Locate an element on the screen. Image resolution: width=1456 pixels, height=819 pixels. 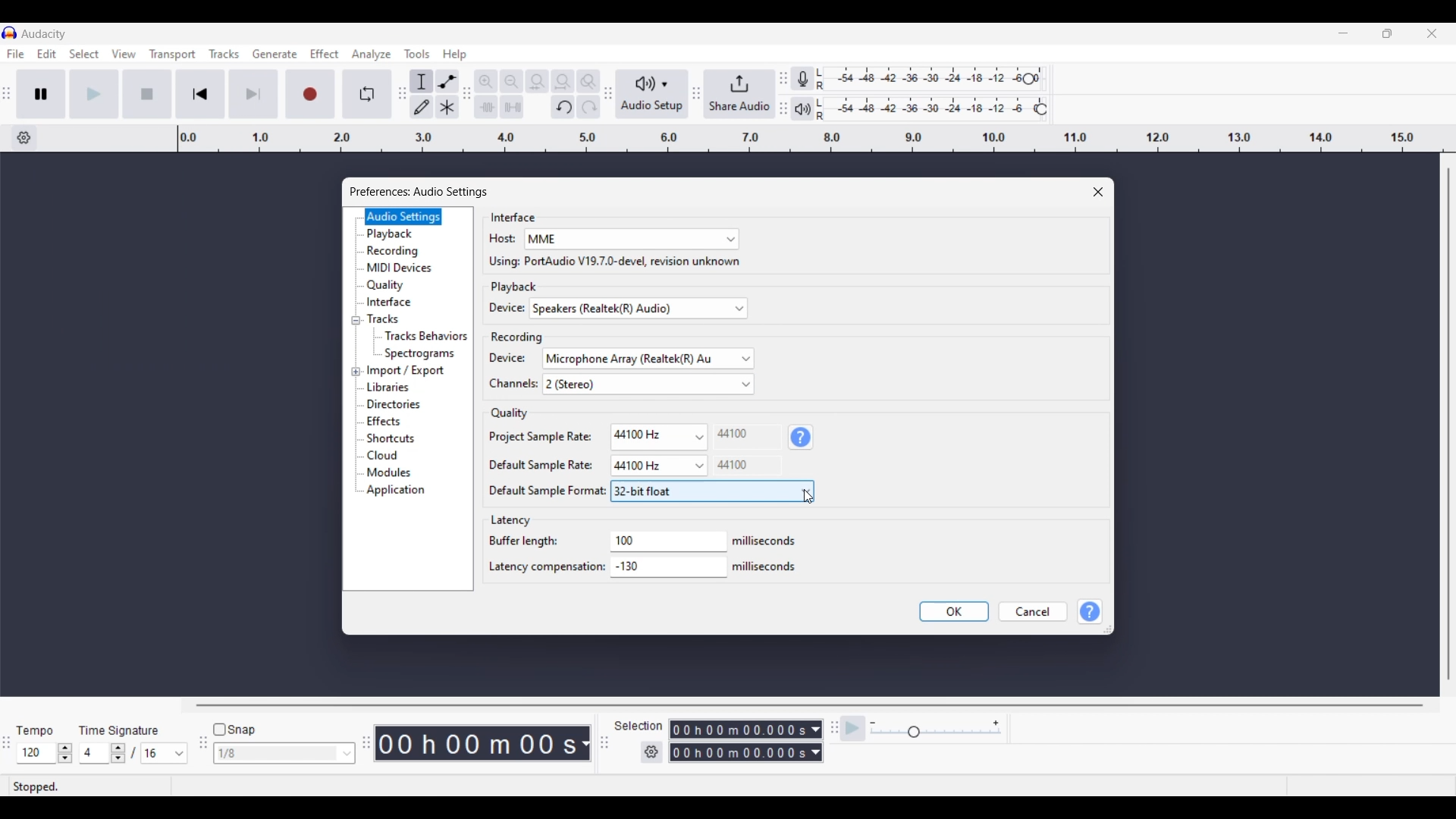
Selected time signature is located at coordinates (156, 754).